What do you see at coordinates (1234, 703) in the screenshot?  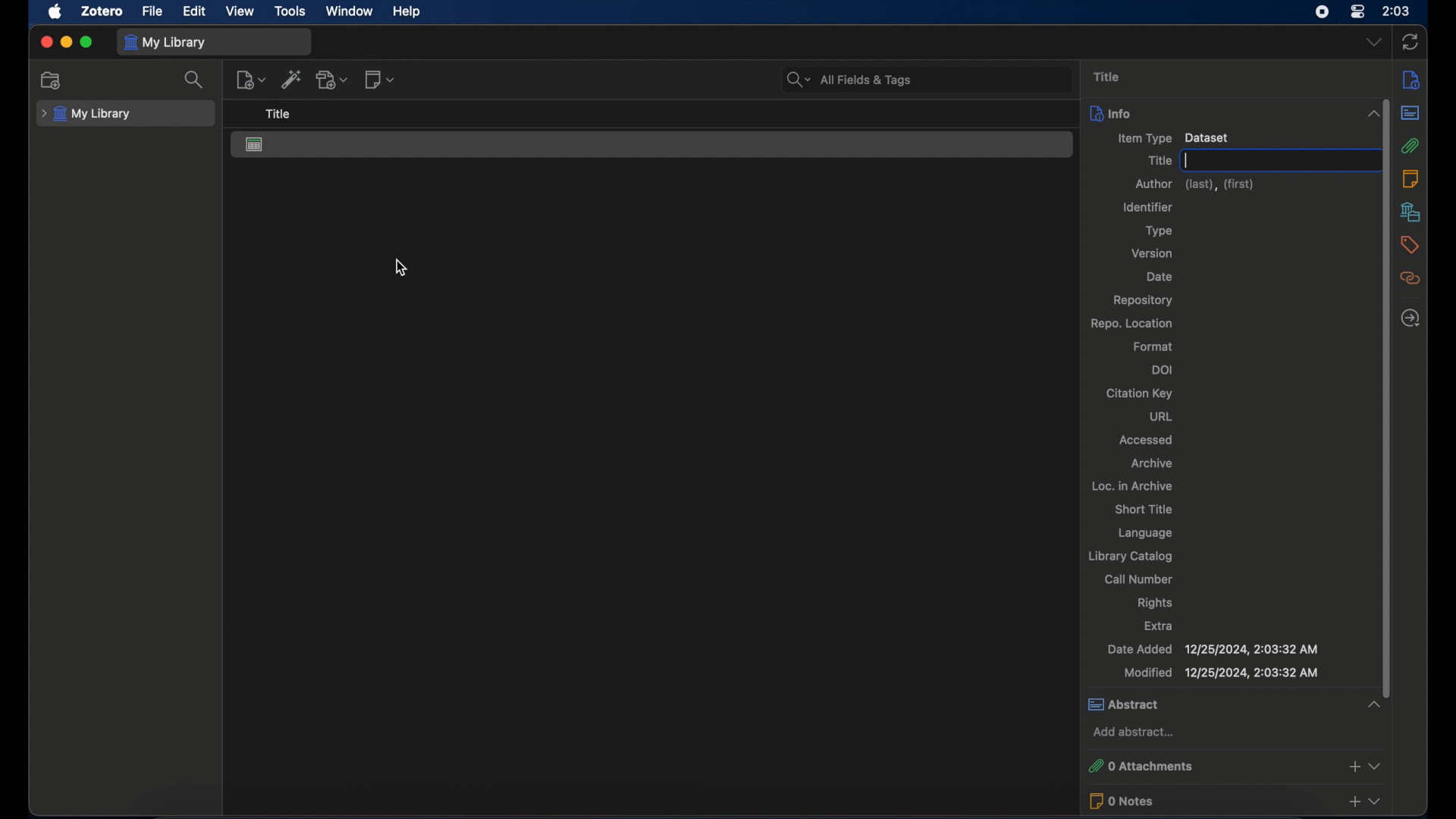 I see `abstract` at bounding box center [1234, 703].